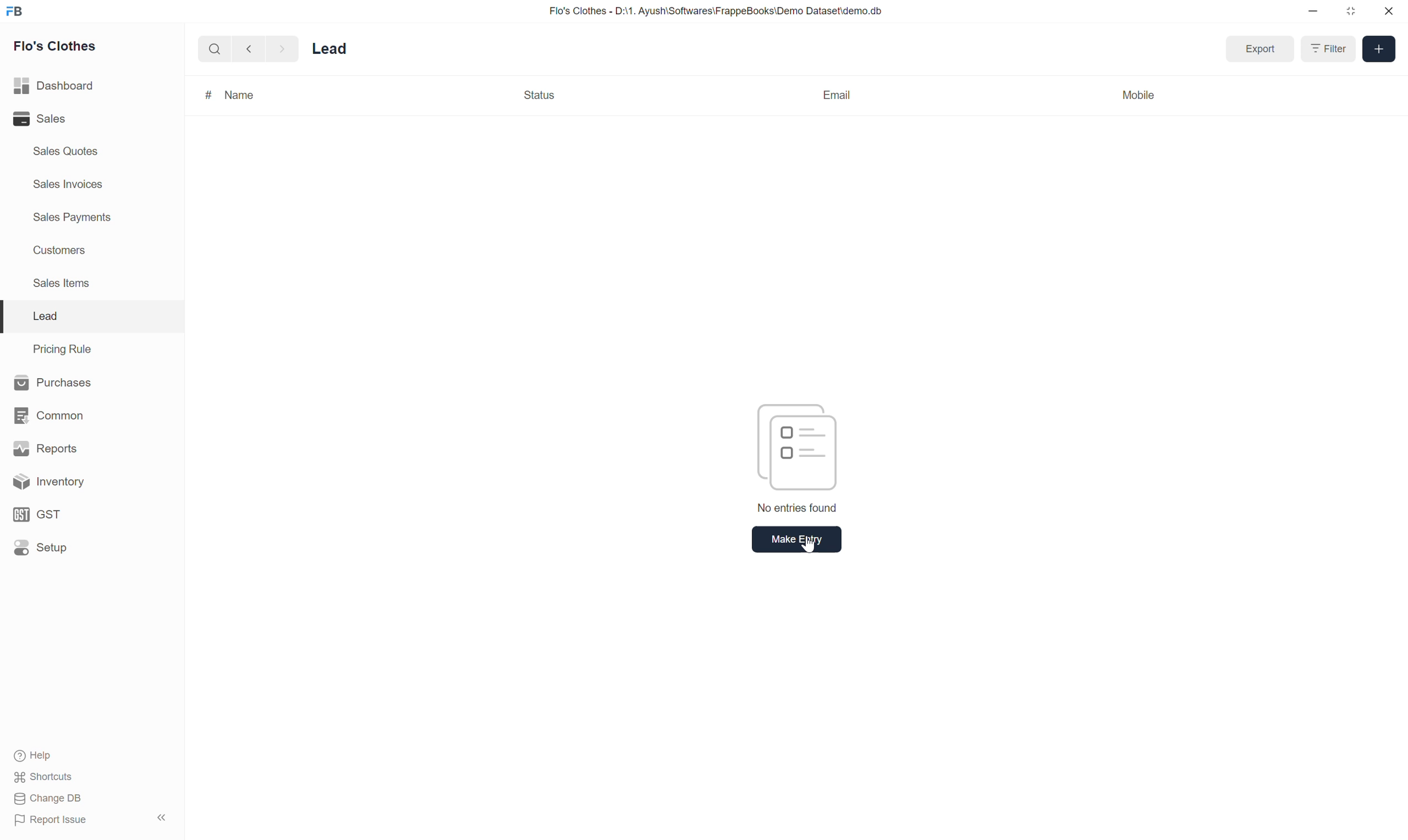  What do you see at coordinates (245, 48) in the screenshot?
I see `Backward` at bounding box center [245, 48].